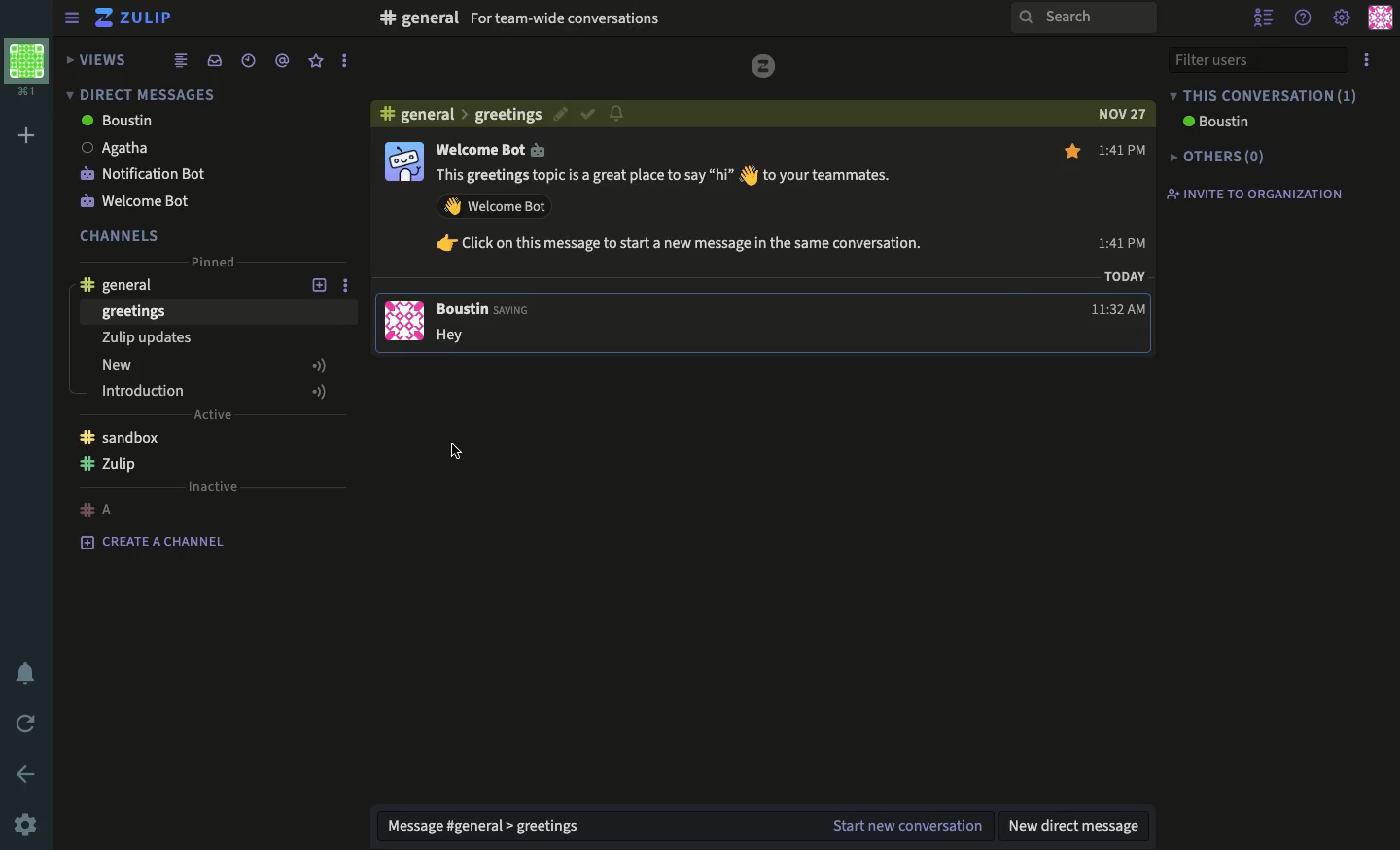 The height and width of the screenshot is (850, 1400). Describe the element at coordinates (115, 467) in the screenshot. I see `zulip` at that location.